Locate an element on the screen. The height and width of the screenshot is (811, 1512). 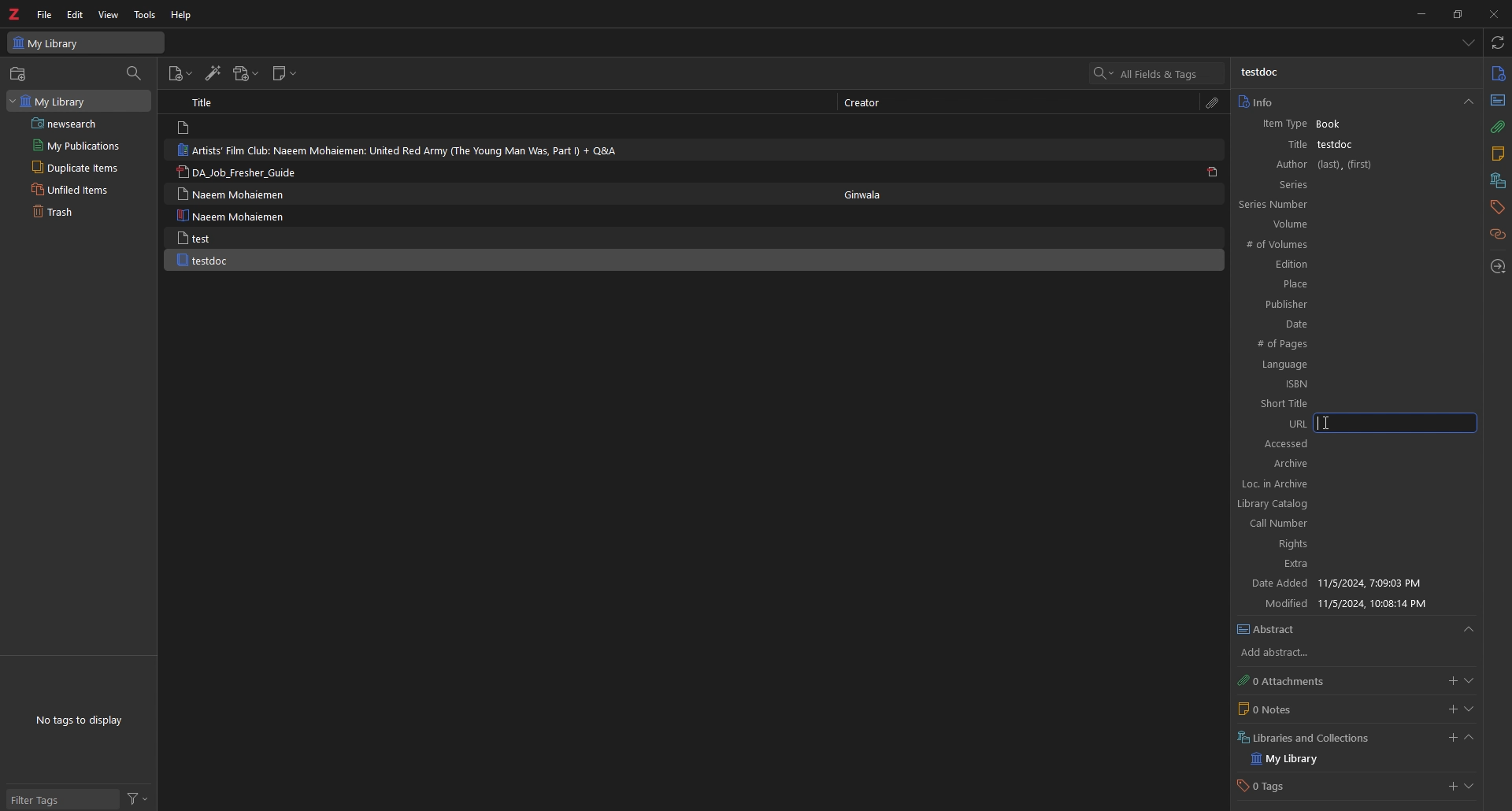
Rights is located at coordinates (1347, 546).